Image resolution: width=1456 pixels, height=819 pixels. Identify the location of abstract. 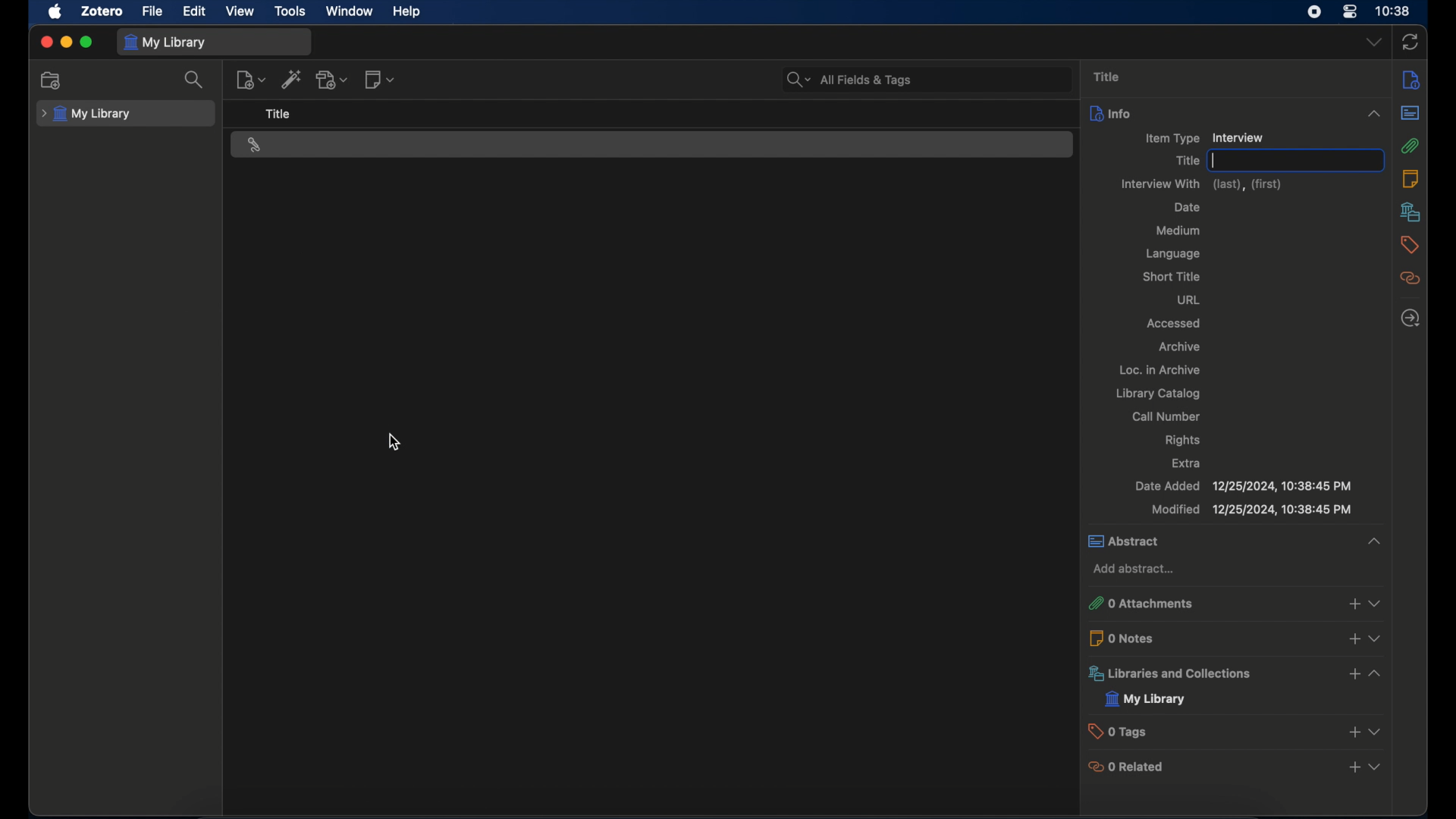
(1410, 113).